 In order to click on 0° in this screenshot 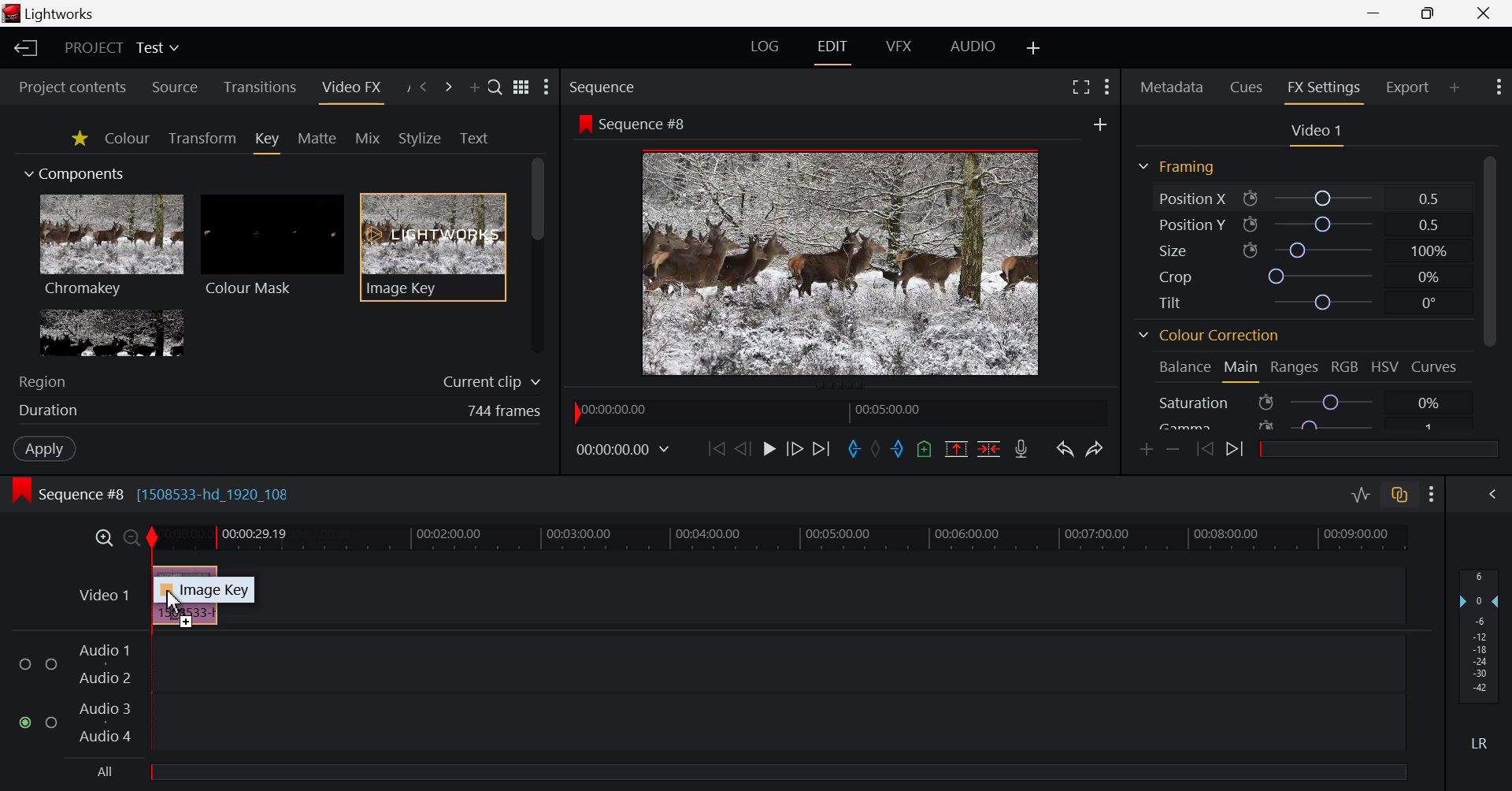, I will do `click(1429, 303)`.